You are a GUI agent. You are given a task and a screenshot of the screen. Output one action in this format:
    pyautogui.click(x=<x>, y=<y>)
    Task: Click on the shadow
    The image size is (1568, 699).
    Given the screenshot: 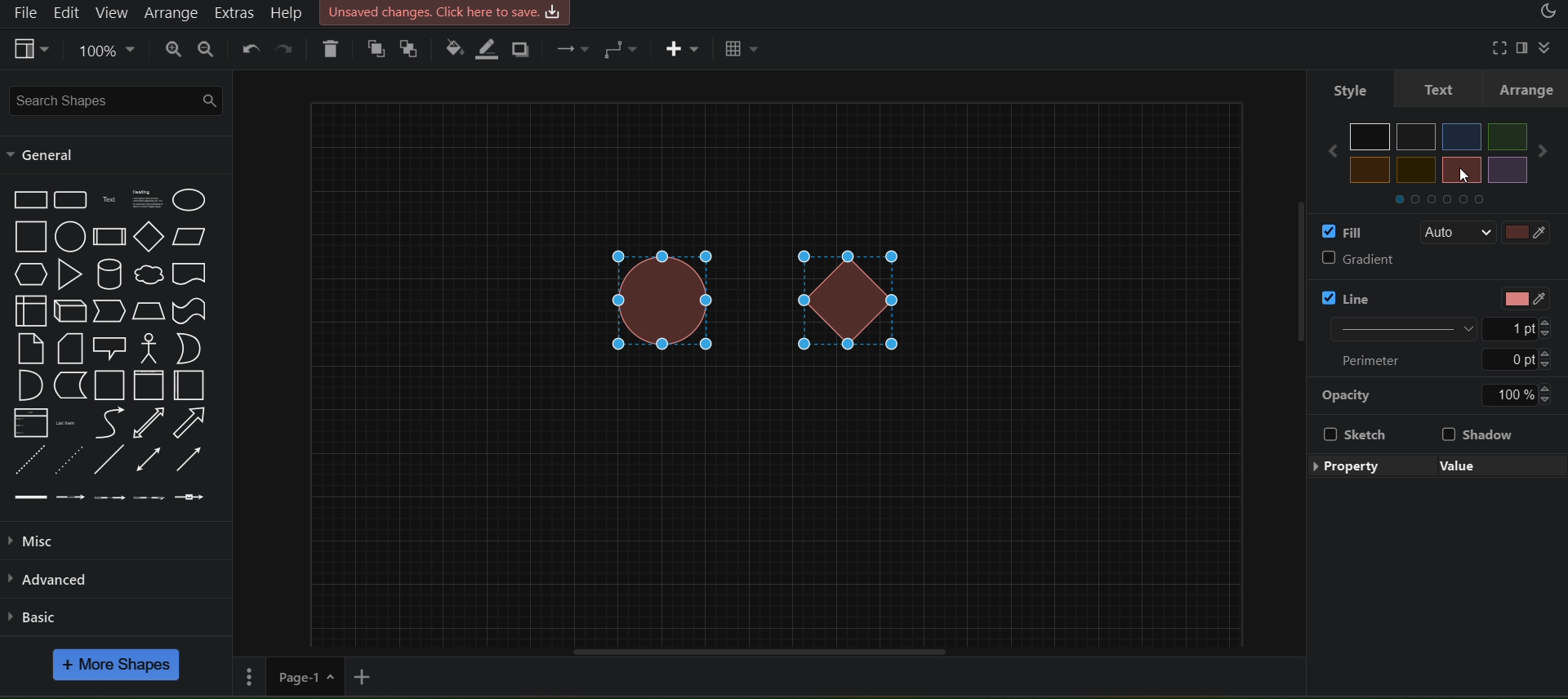 What is the action you would take?
    pyautogui.click(x=520, y=49)
    